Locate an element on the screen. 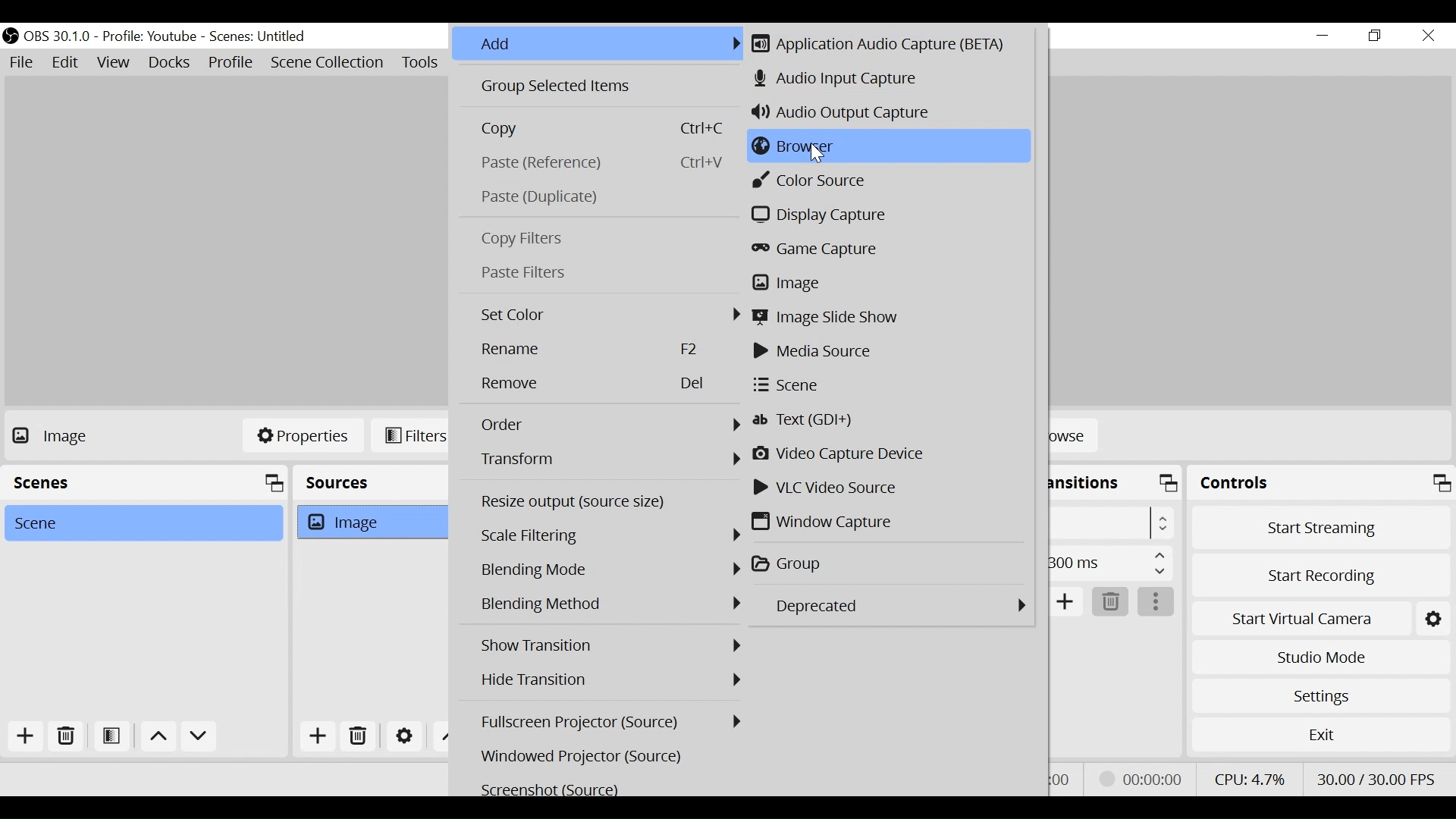  Transform is located at coordinates (610, 459).